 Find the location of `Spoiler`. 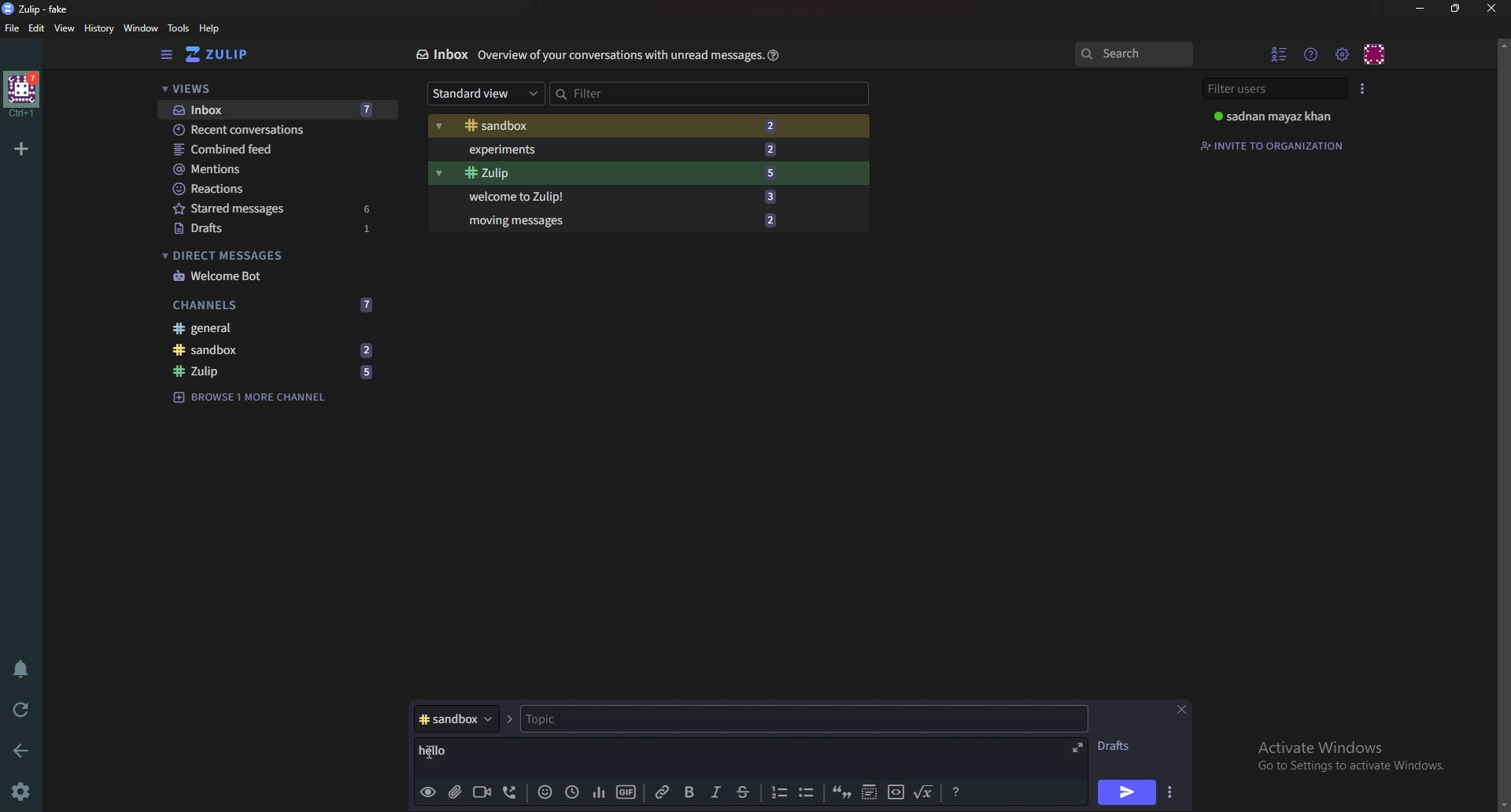

Spoiler is located at coordinates (870, 793).